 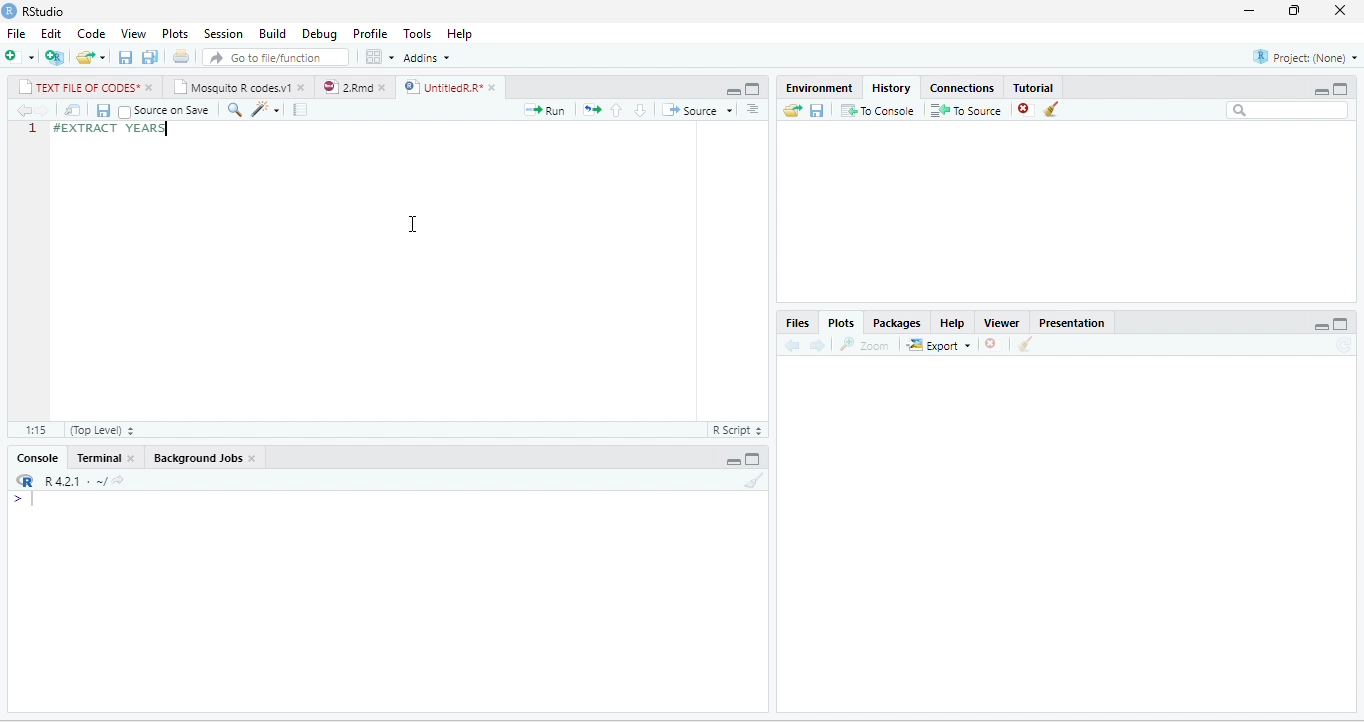 What do you see at coordinates (97, 458) in the screenshot?
I see `Terminal ` at bounding box center [97, 458].